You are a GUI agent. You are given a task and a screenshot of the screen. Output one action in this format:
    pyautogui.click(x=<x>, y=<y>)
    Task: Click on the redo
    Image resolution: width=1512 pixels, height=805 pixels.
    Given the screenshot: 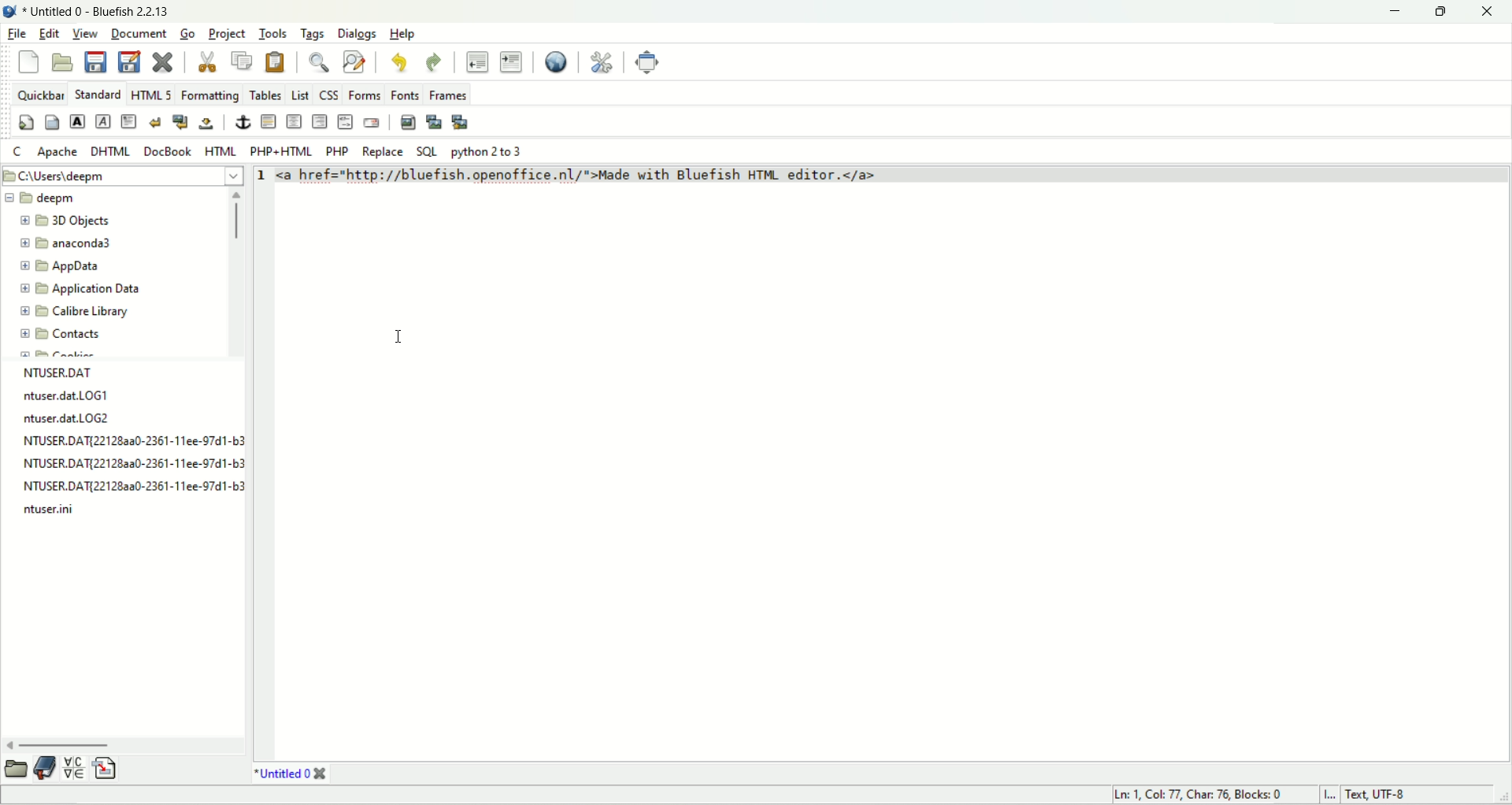 What is the action you would take?
    pyautogui.click(x=435, y=62)
    